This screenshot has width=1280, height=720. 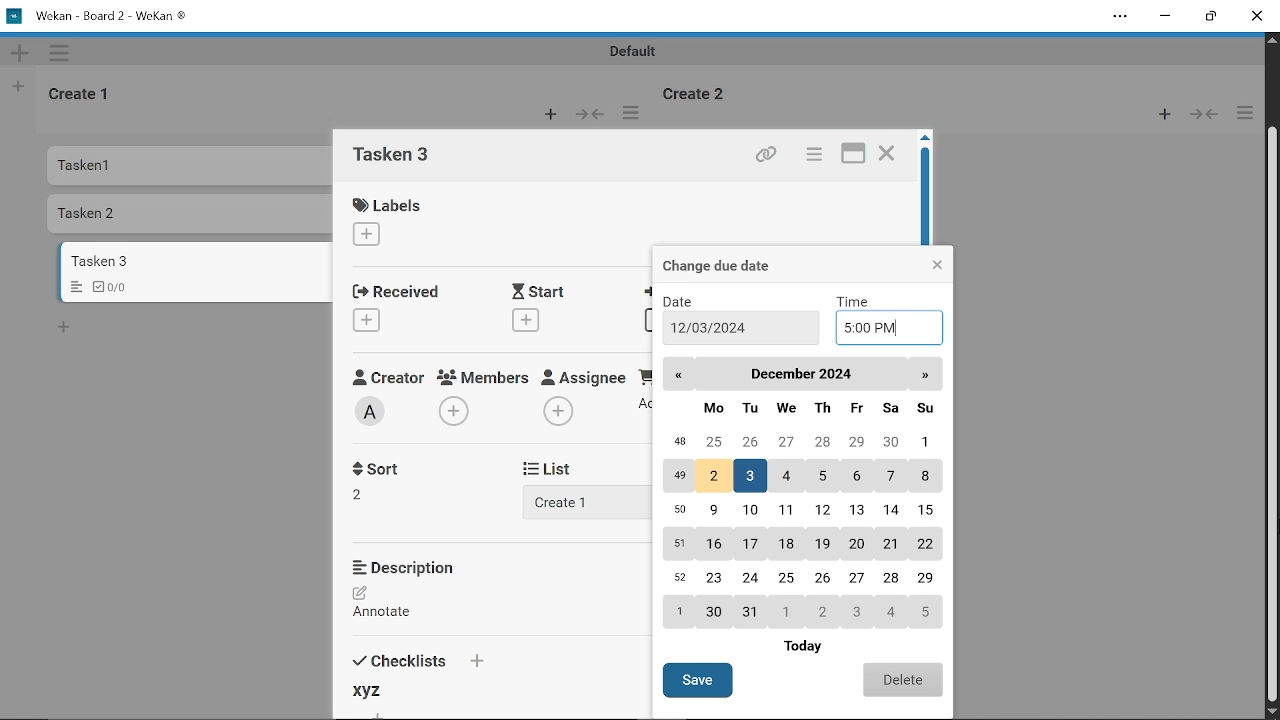 I want to click on Save, so click(x=698, y=680).